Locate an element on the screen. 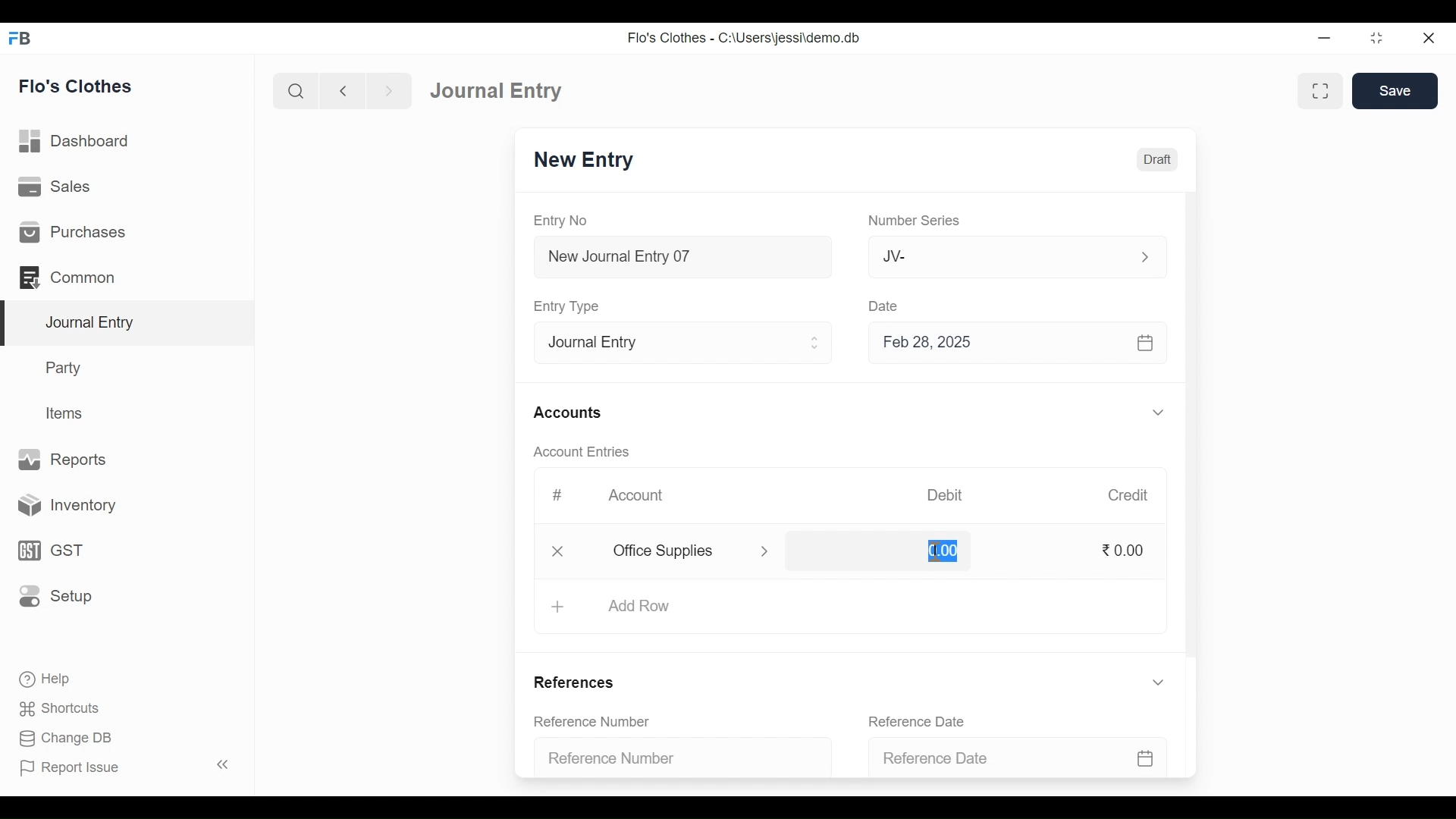 This screenshot has height=819, width=1456. Party is located at coordinates (66, 367).